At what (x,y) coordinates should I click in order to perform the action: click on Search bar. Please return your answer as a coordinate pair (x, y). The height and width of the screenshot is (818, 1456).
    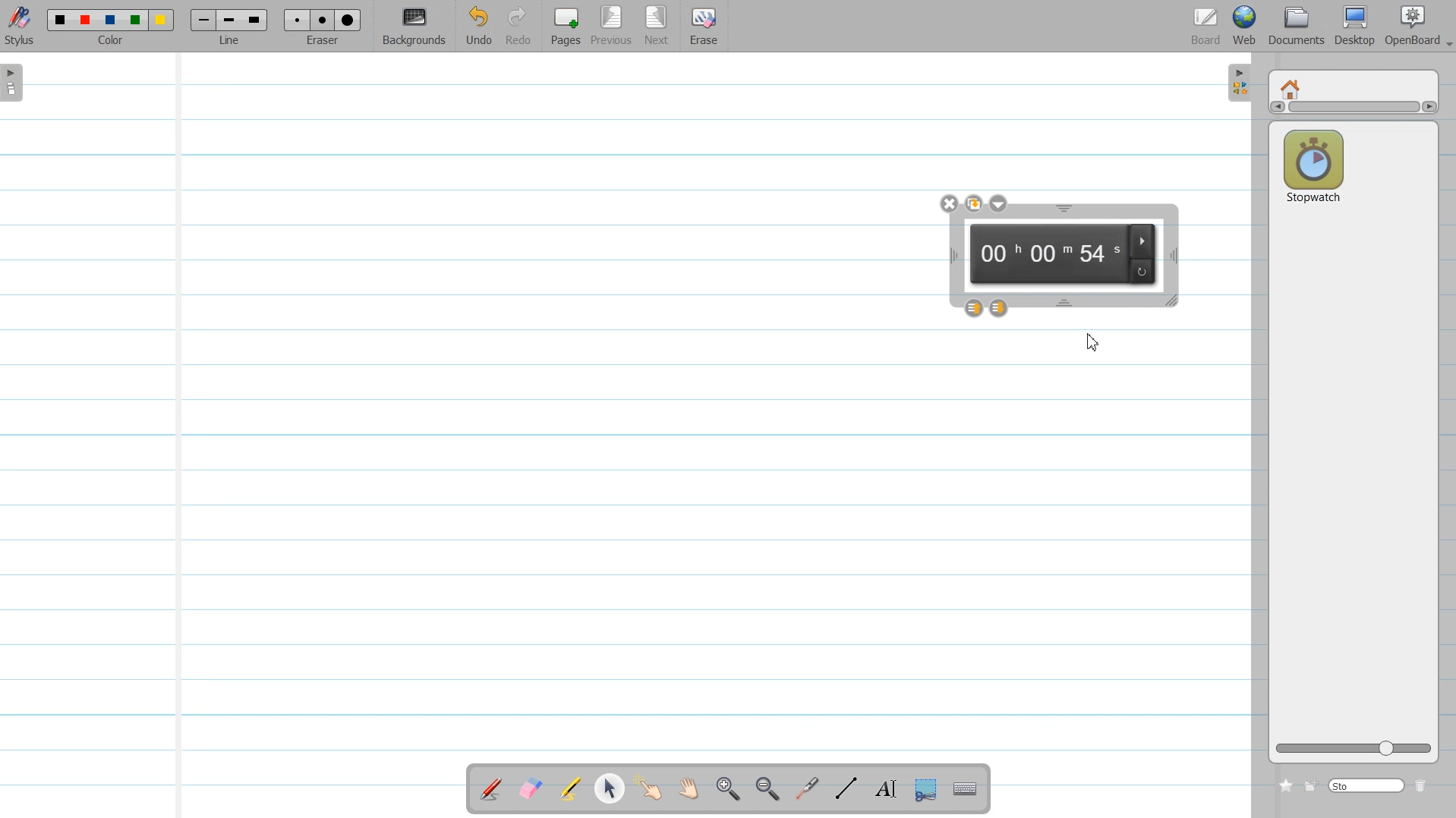
    Looking at the image, I should click on (1368, 785).